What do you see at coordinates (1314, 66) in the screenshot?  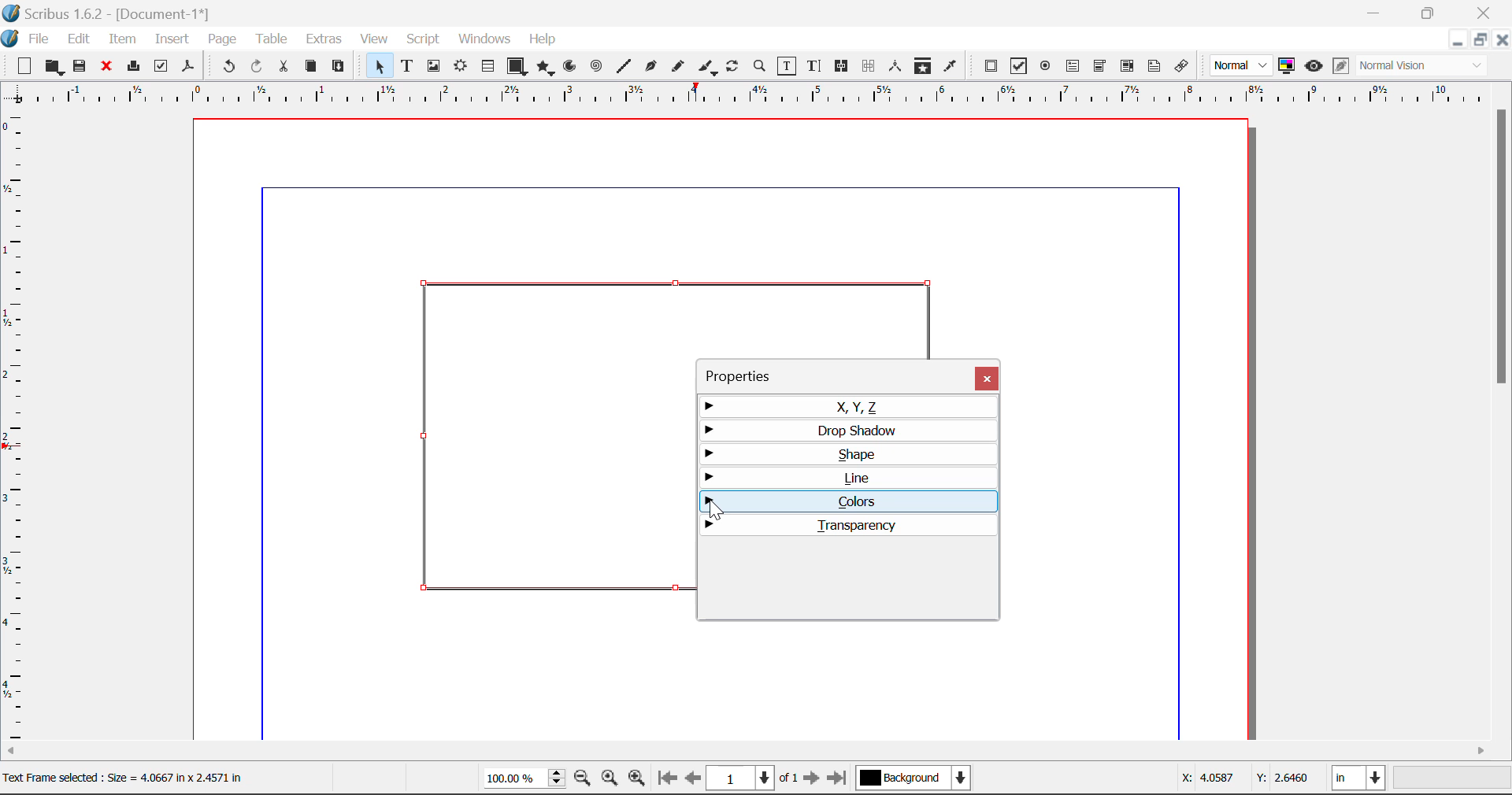 I see `Preview Mode` at bounding box center [1314, 66].